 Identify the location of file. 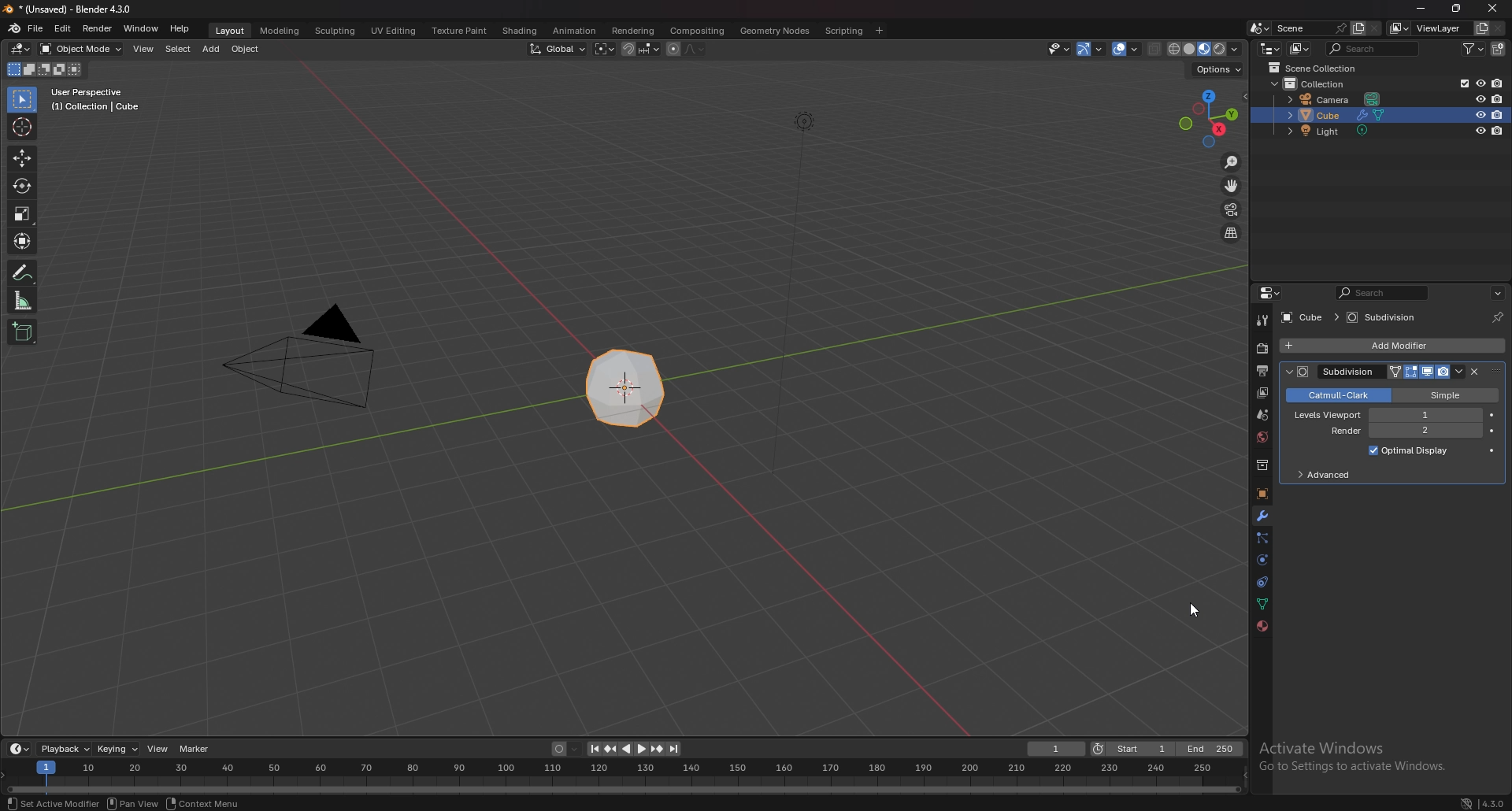
(35, 29).